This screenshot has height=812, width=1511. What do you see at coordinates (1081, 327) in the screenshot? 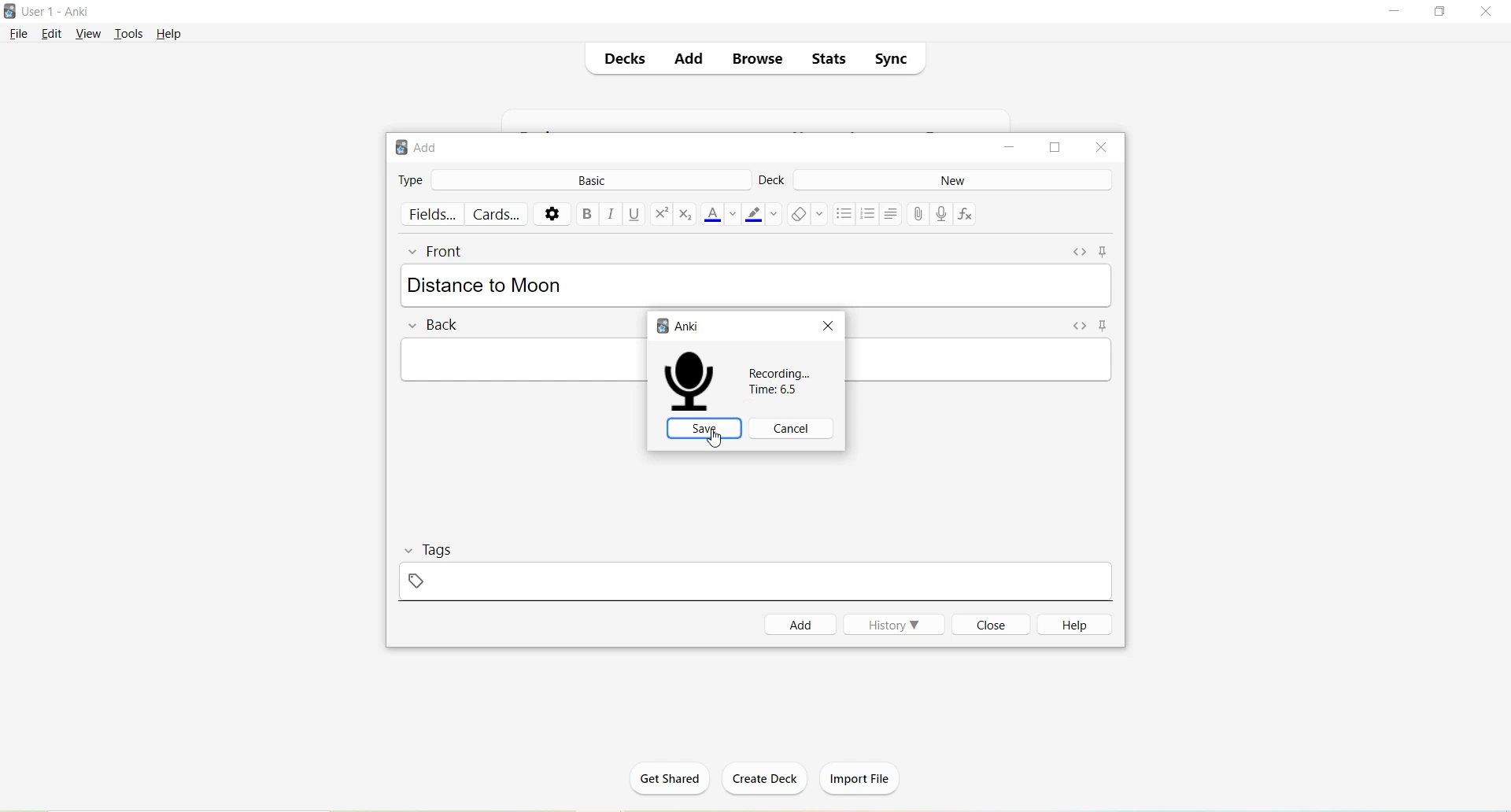
I see `Toggle HTML Editor` at bounding box center [1081, 327].